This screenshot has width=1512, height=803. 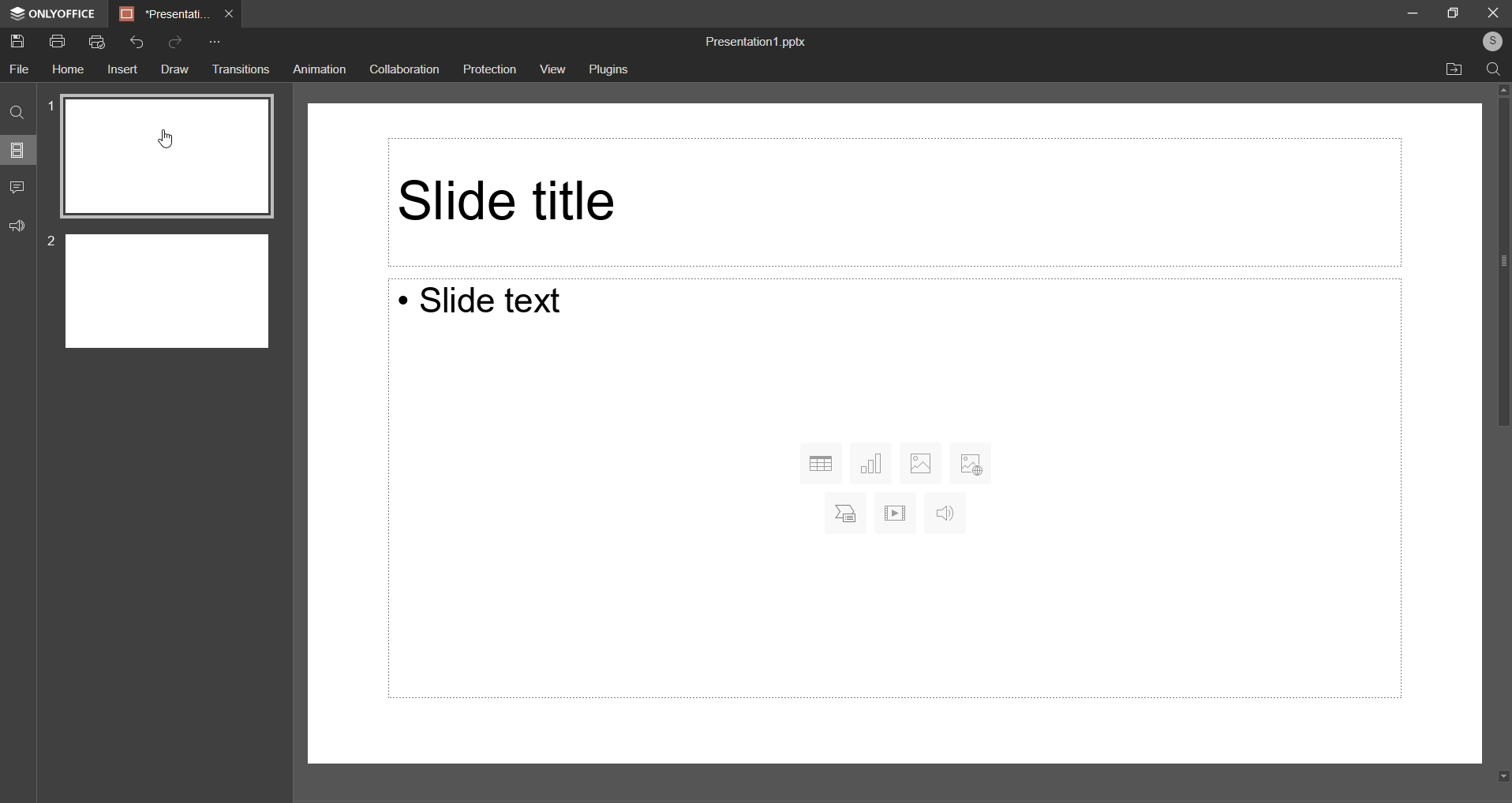 What do you see at coordinates (1489, 13) in the screenshot?
I see `close` at bounding box center [1489, 13].